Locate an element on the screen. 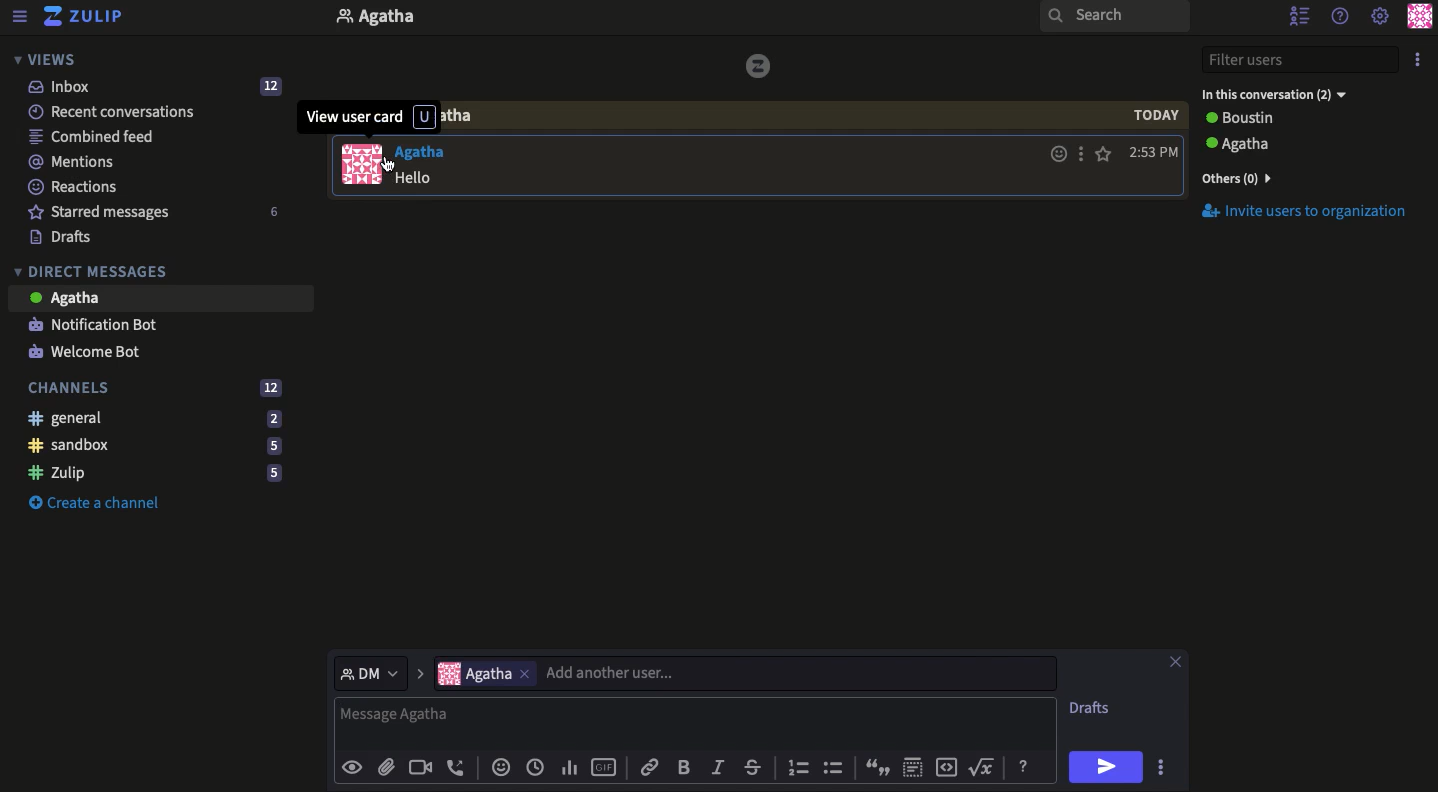  Users is located at coordinates (474, 673).